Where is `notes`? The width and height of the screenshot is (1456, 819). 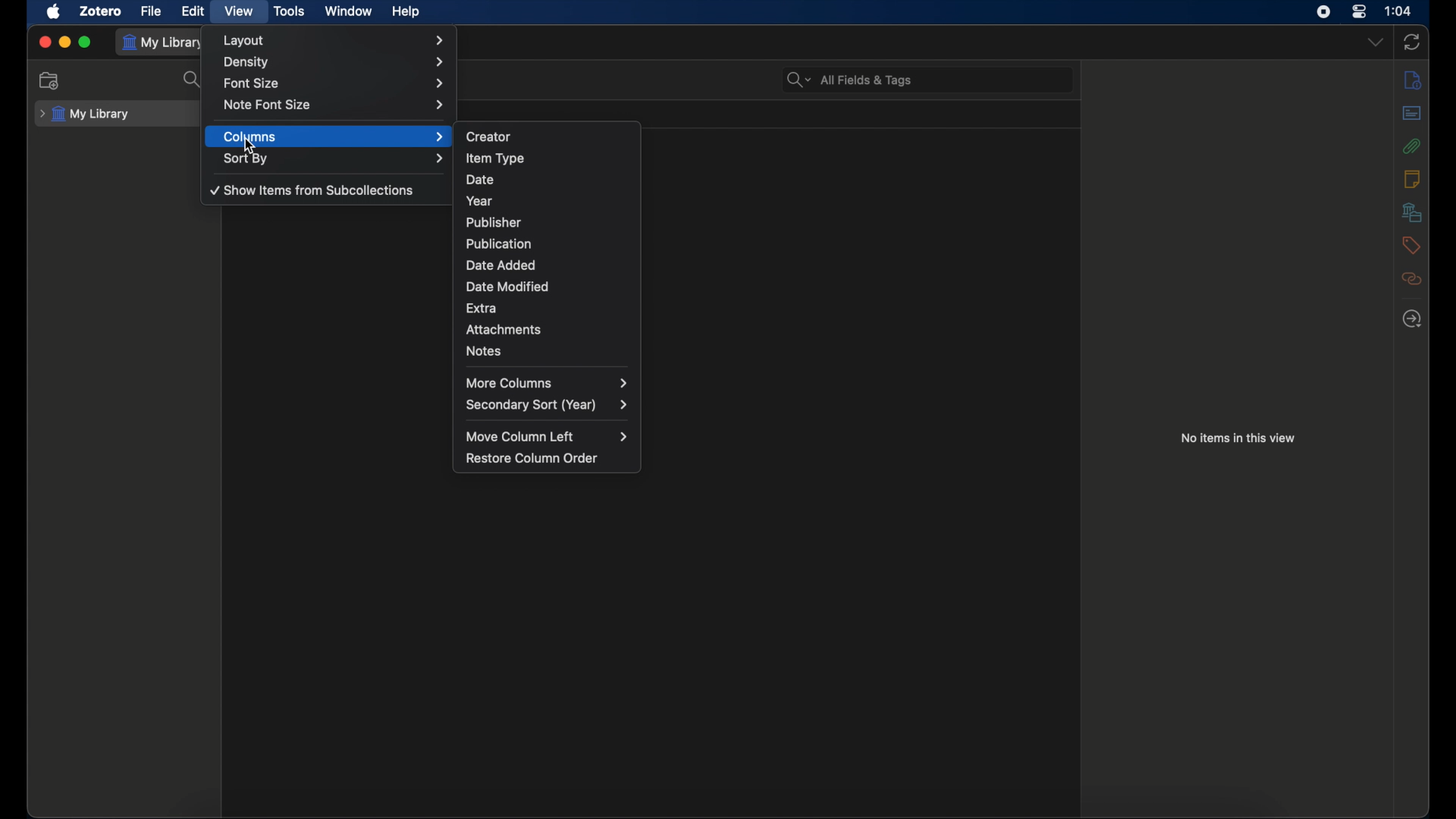 notes is located at coordinates (1412, 179).